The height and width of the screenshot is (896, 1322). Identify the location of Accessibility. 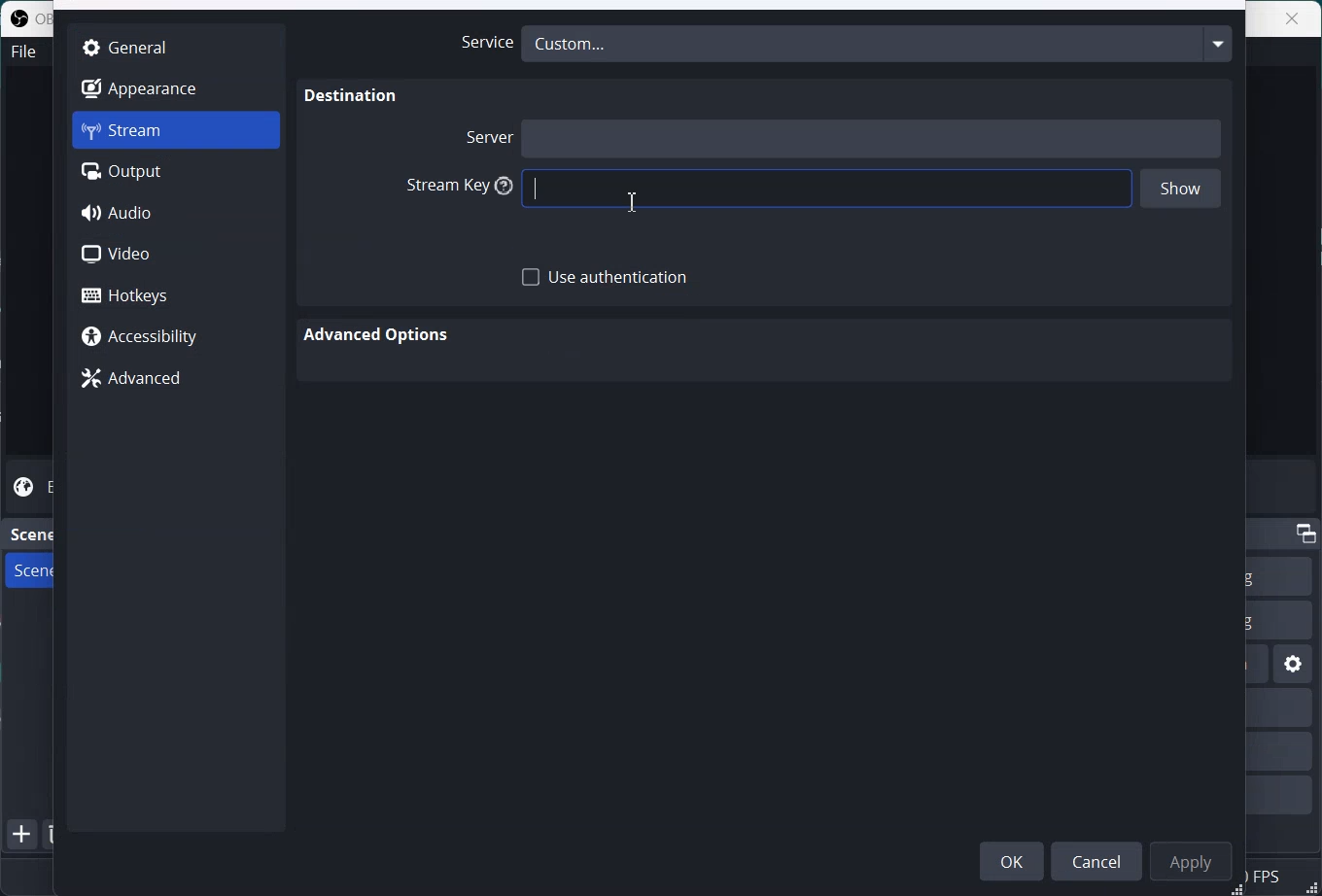
(175, 338).